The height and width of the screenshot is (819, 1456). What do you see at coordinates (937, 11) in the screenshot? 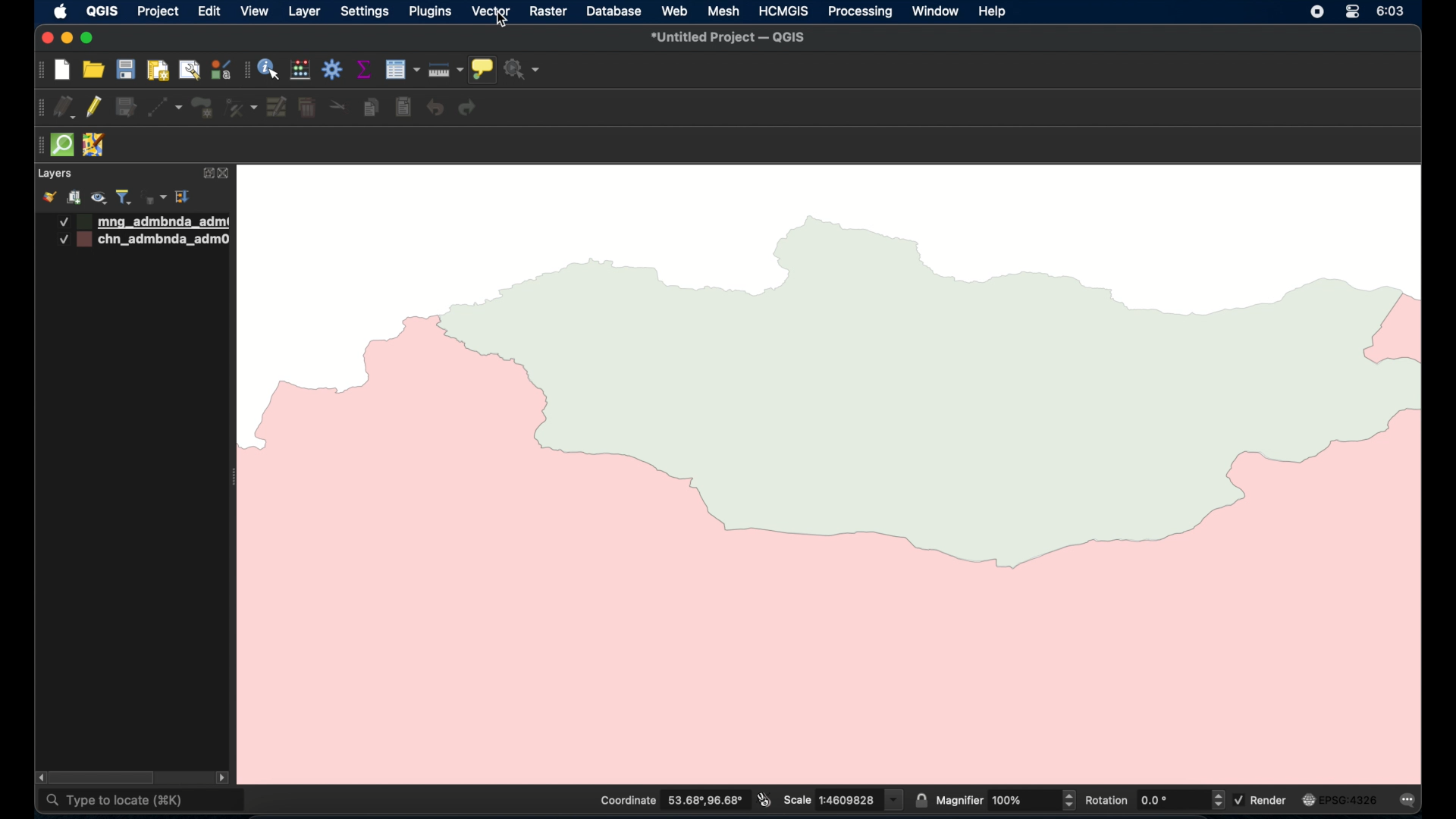
I see `window` at bounding box center [937, 11].